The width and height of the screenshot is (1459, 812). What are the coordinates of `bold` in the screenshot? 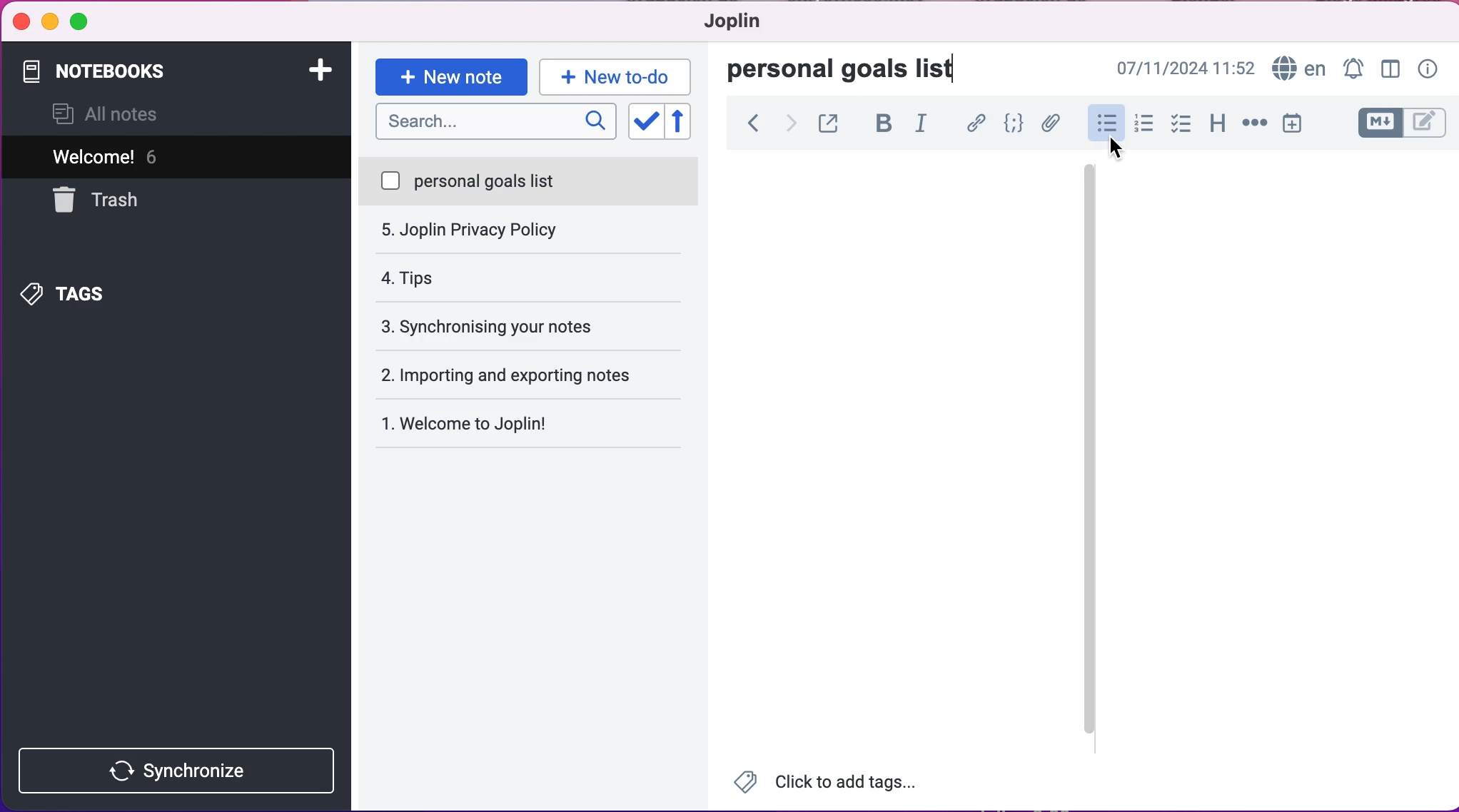 It's located at (880, 126).